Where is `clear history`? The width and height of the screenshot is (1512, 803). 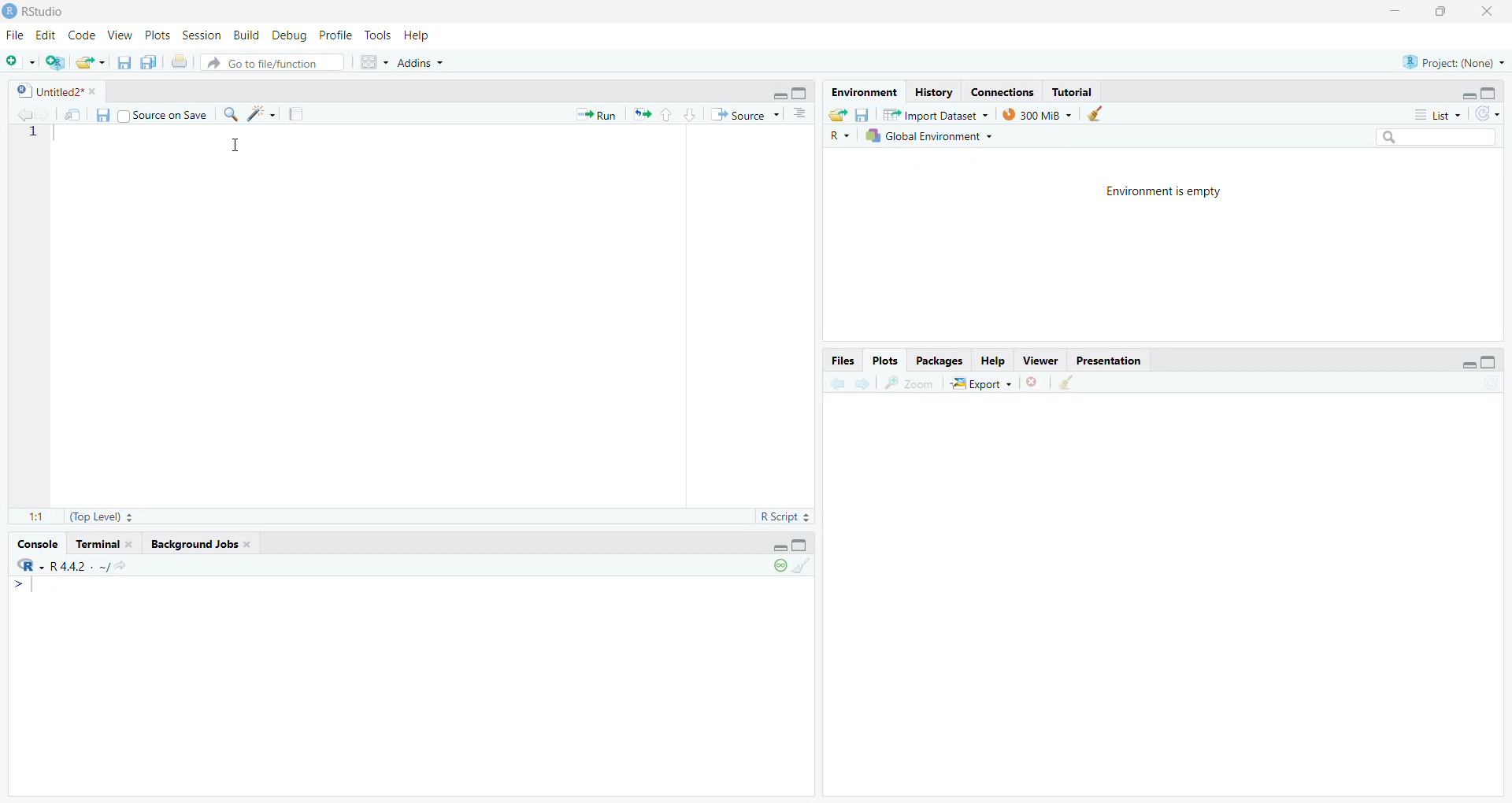
clear history is located at coordinates (1102, 113).